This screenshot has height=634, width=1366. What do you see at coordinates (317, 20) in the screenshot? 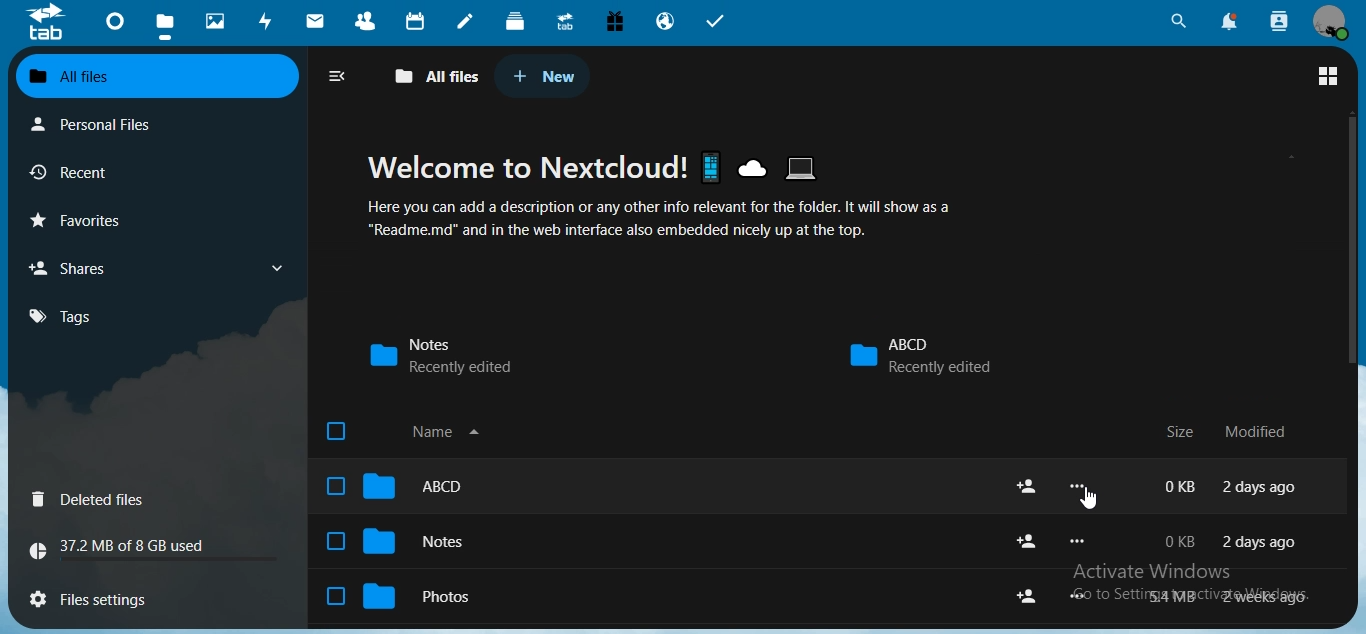
I see `mail` at bounding box center [317, 20].